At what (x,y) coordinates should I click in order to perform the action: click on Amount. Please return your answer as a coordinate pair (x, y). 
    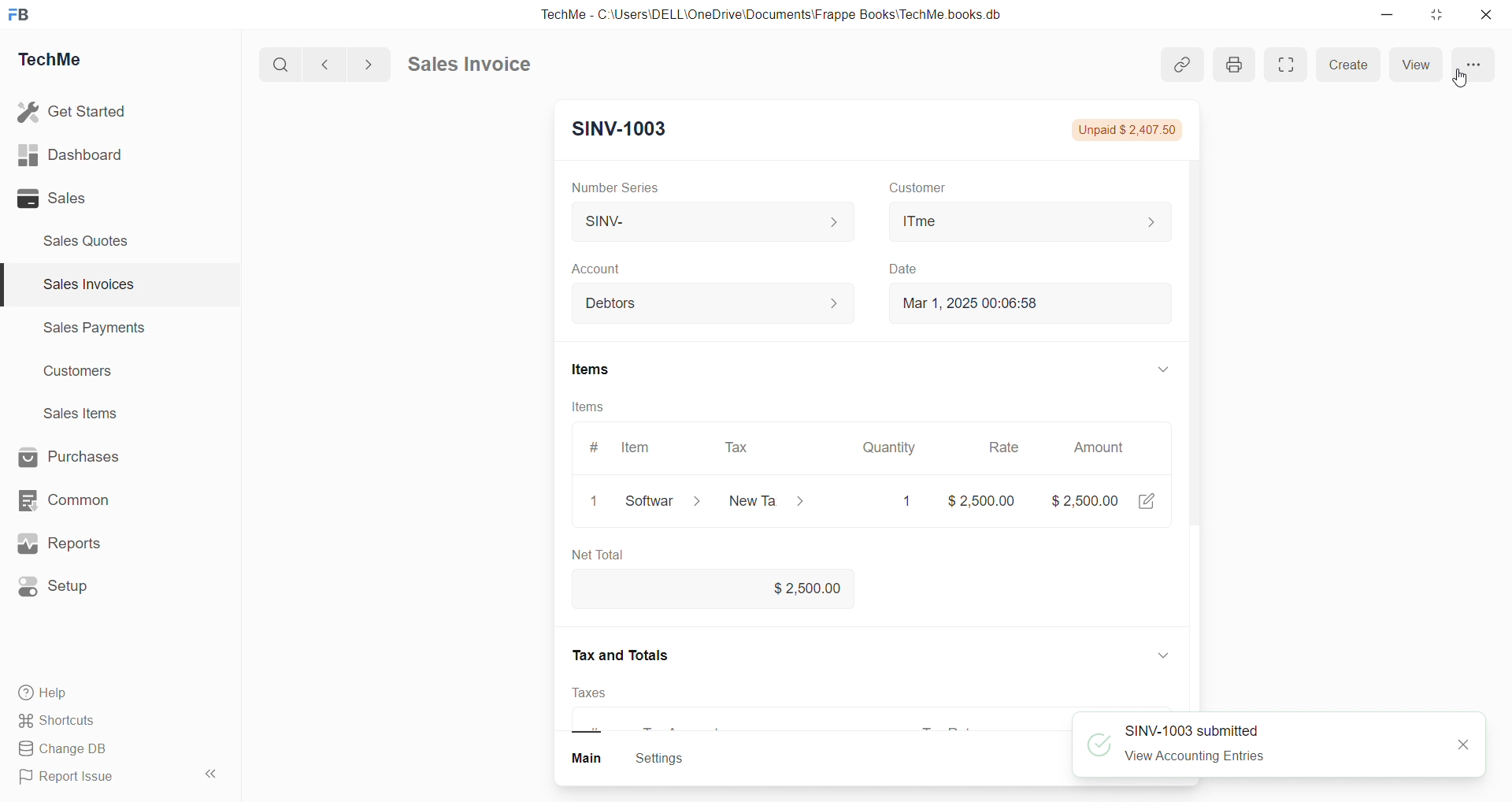
    Looking at the image, I should click on (1114, 449).